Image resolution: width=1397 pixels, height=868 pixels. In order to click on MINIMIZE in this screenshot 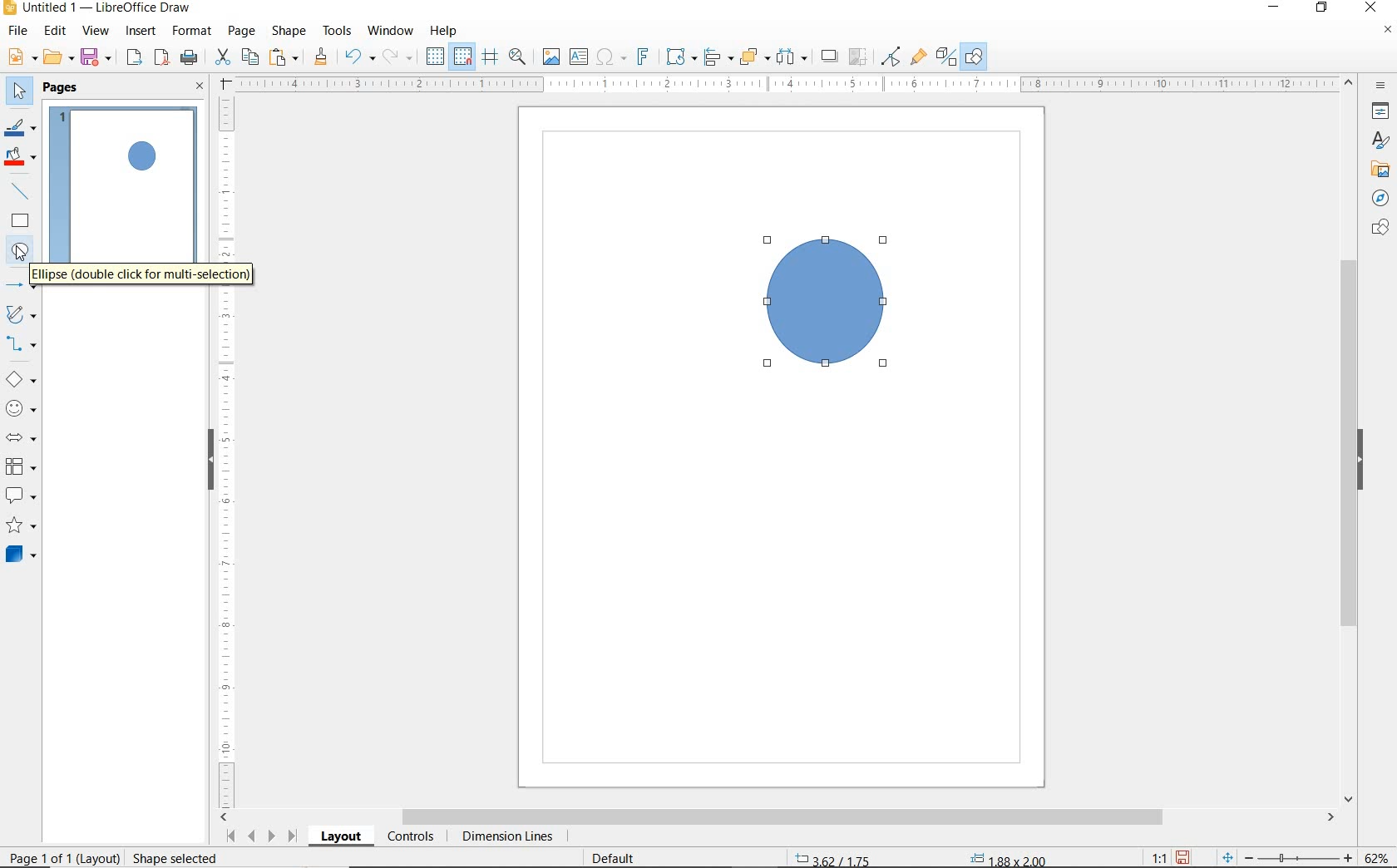, I will do `click(1276, 8)`.